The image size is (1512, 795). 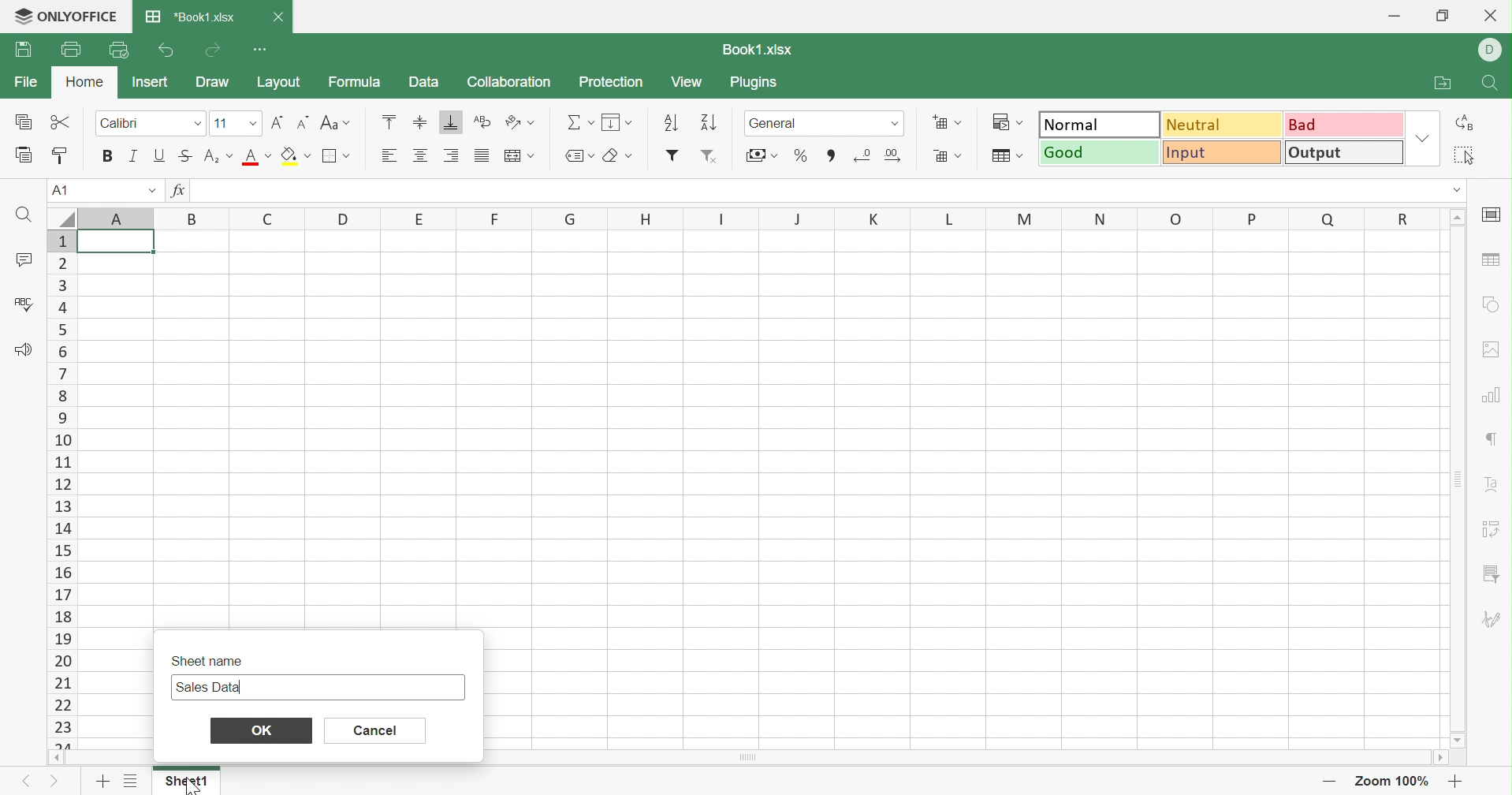 I want to click on Output, so click(x=1344, y=152).